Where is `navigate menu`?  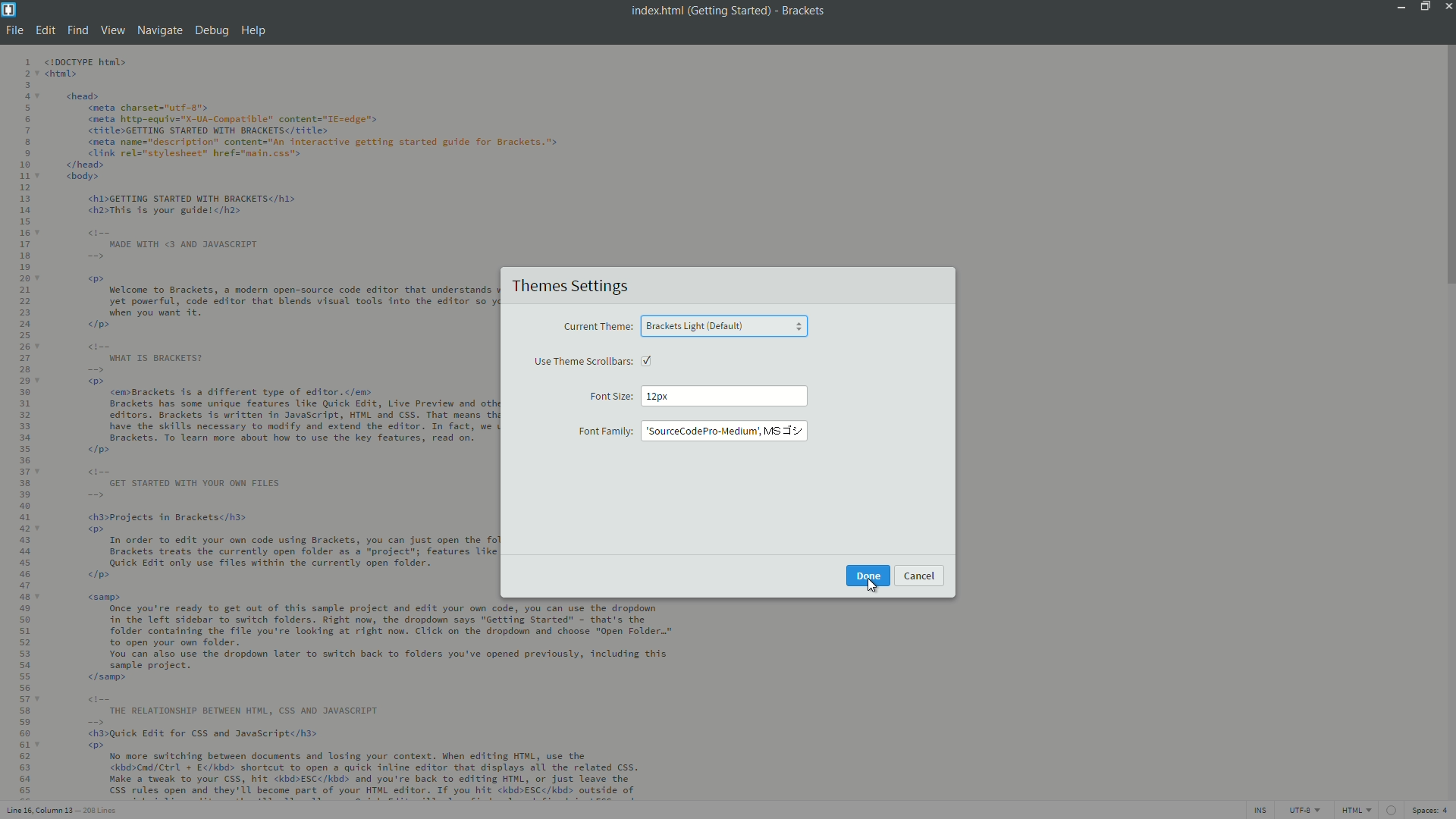
navigate menu is located at coordinates (158, 30).